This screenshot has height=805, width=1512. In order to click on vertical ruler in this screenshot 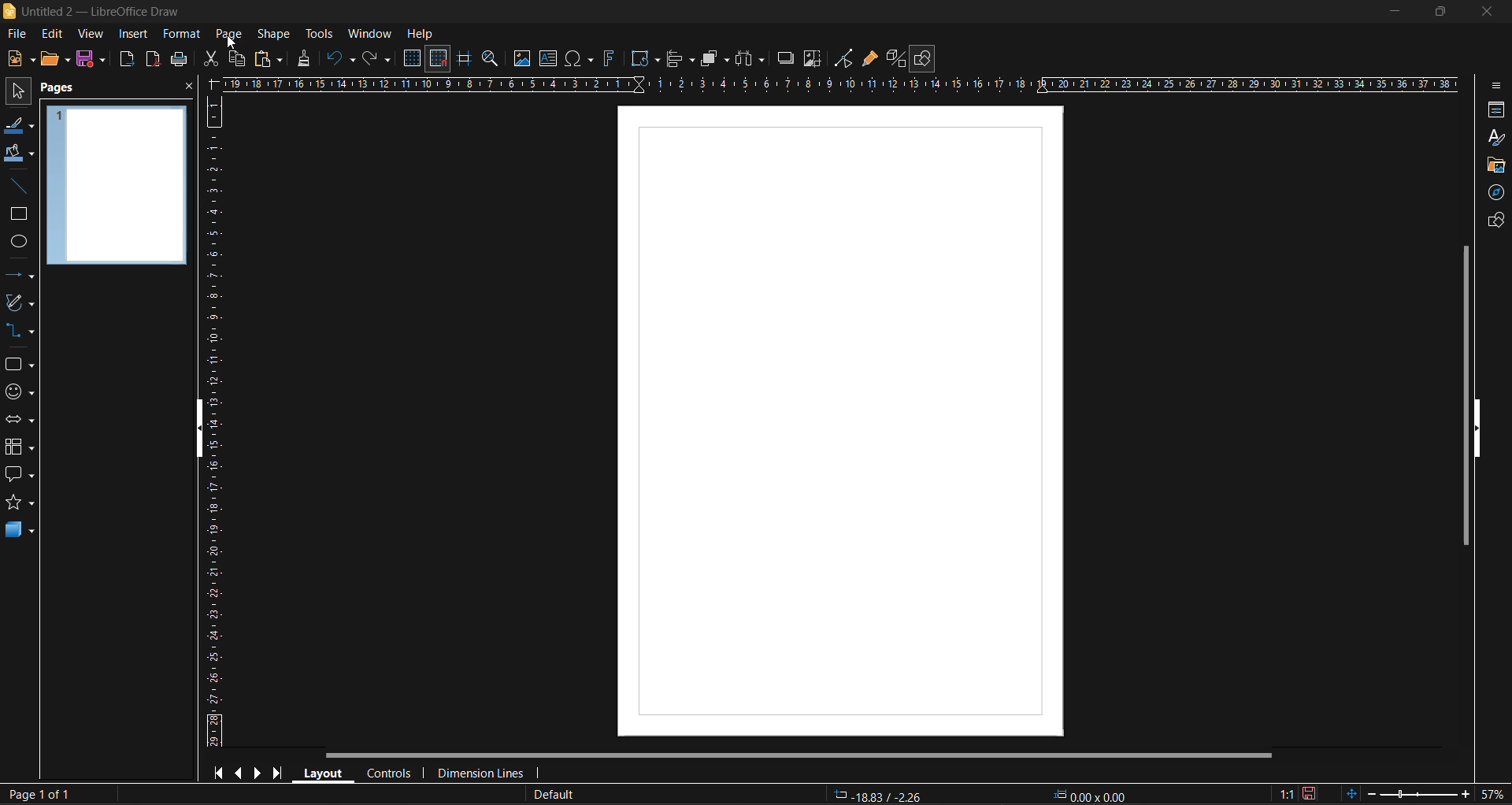, I will do `click(213, 425)`.